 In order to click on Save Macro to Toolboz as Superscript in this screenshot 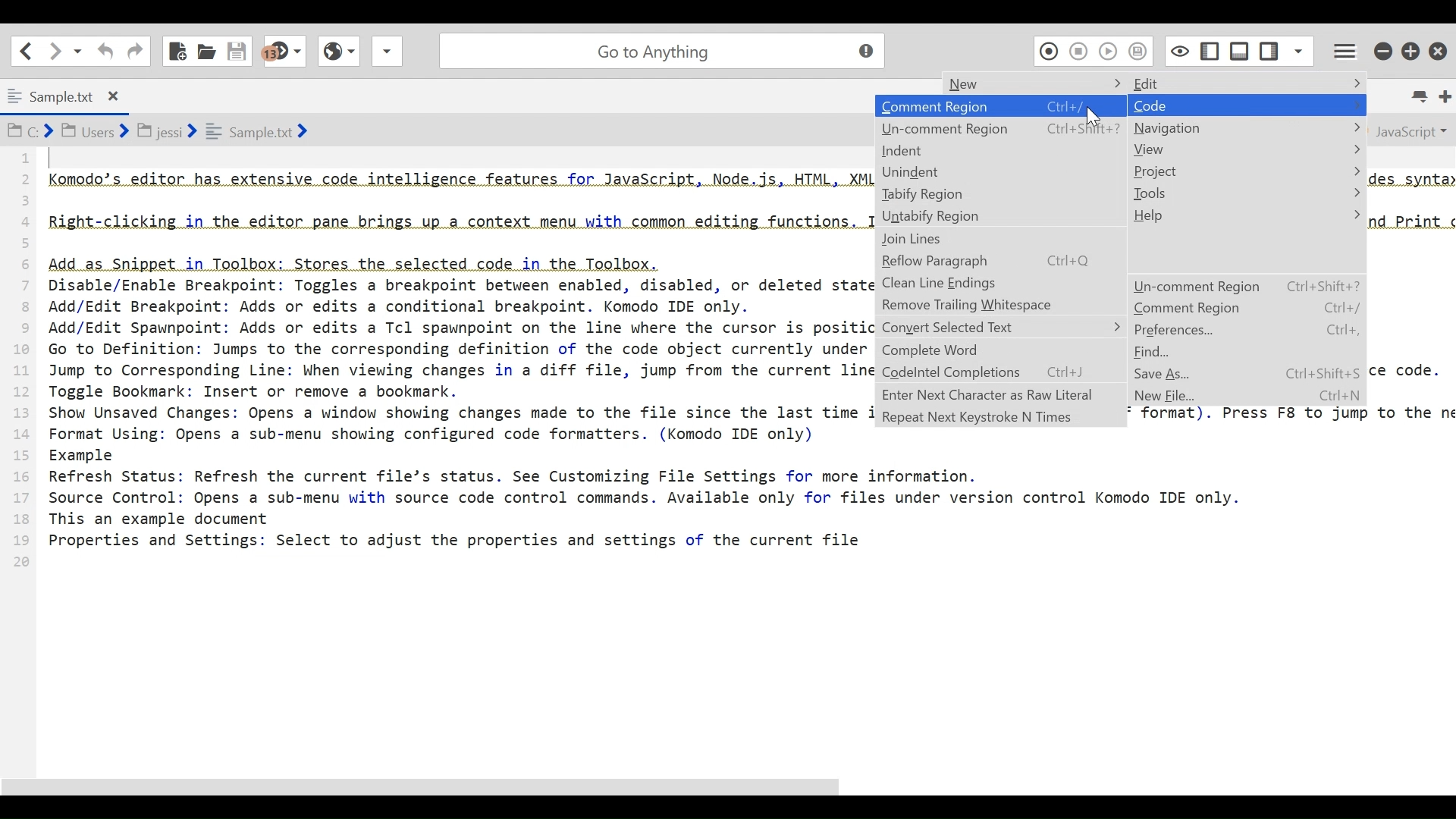, I will do `click(1141, 50)`.